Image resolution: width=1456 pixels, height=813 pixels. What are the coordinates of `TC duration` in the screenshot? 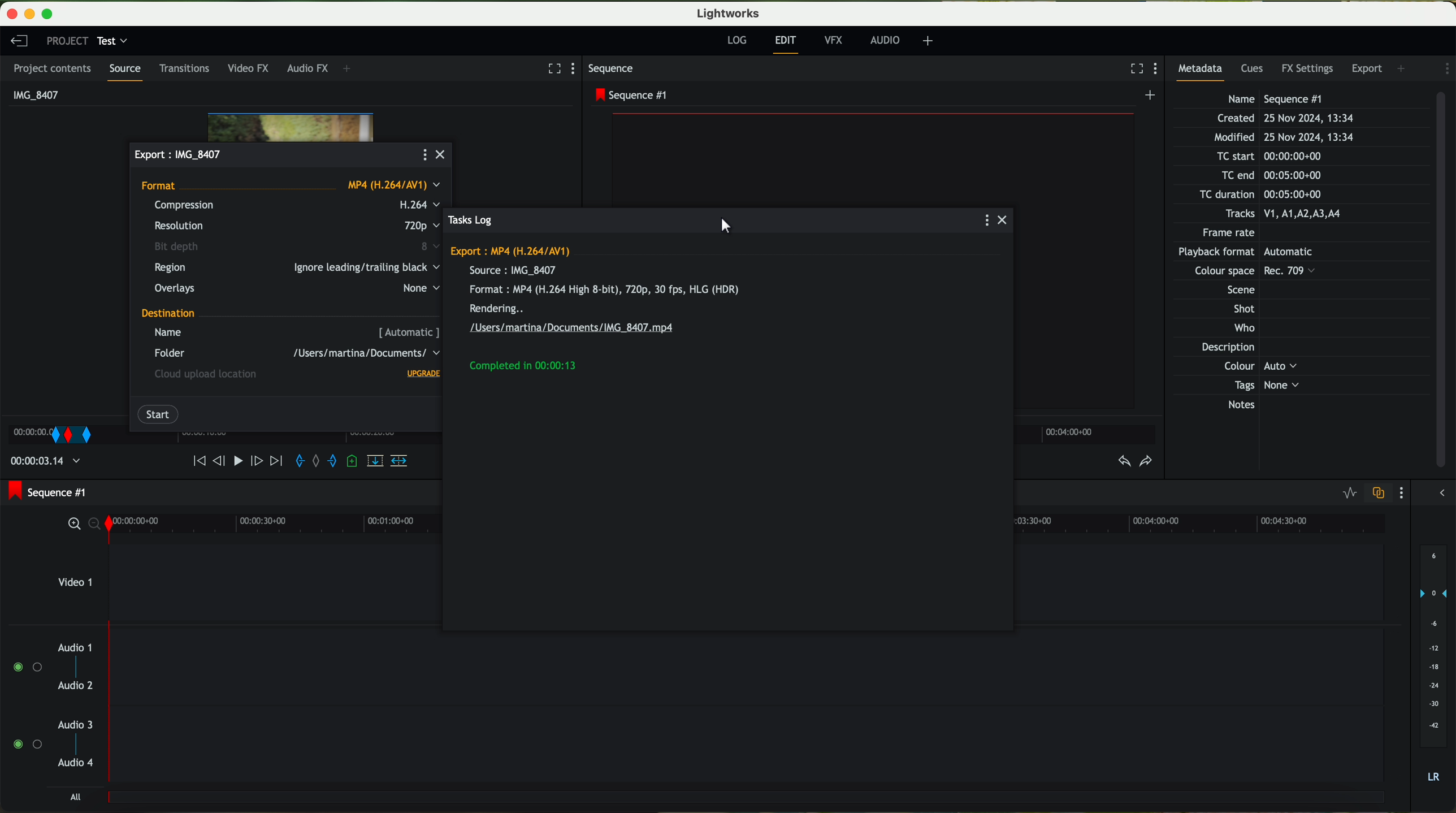 It's located at (1254, 196).